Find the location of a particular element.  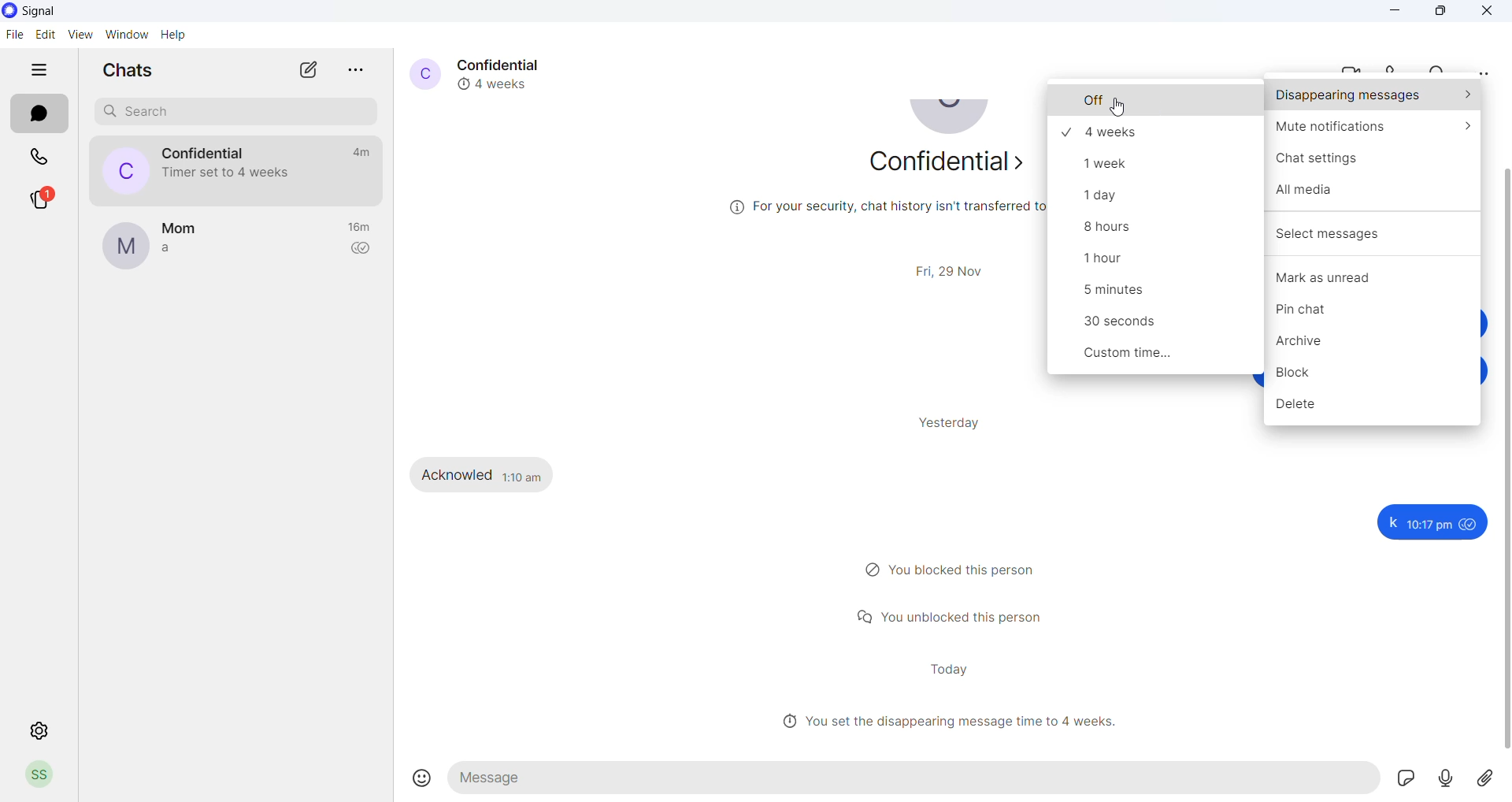

blocked heading is located at coordinates (958, 570).